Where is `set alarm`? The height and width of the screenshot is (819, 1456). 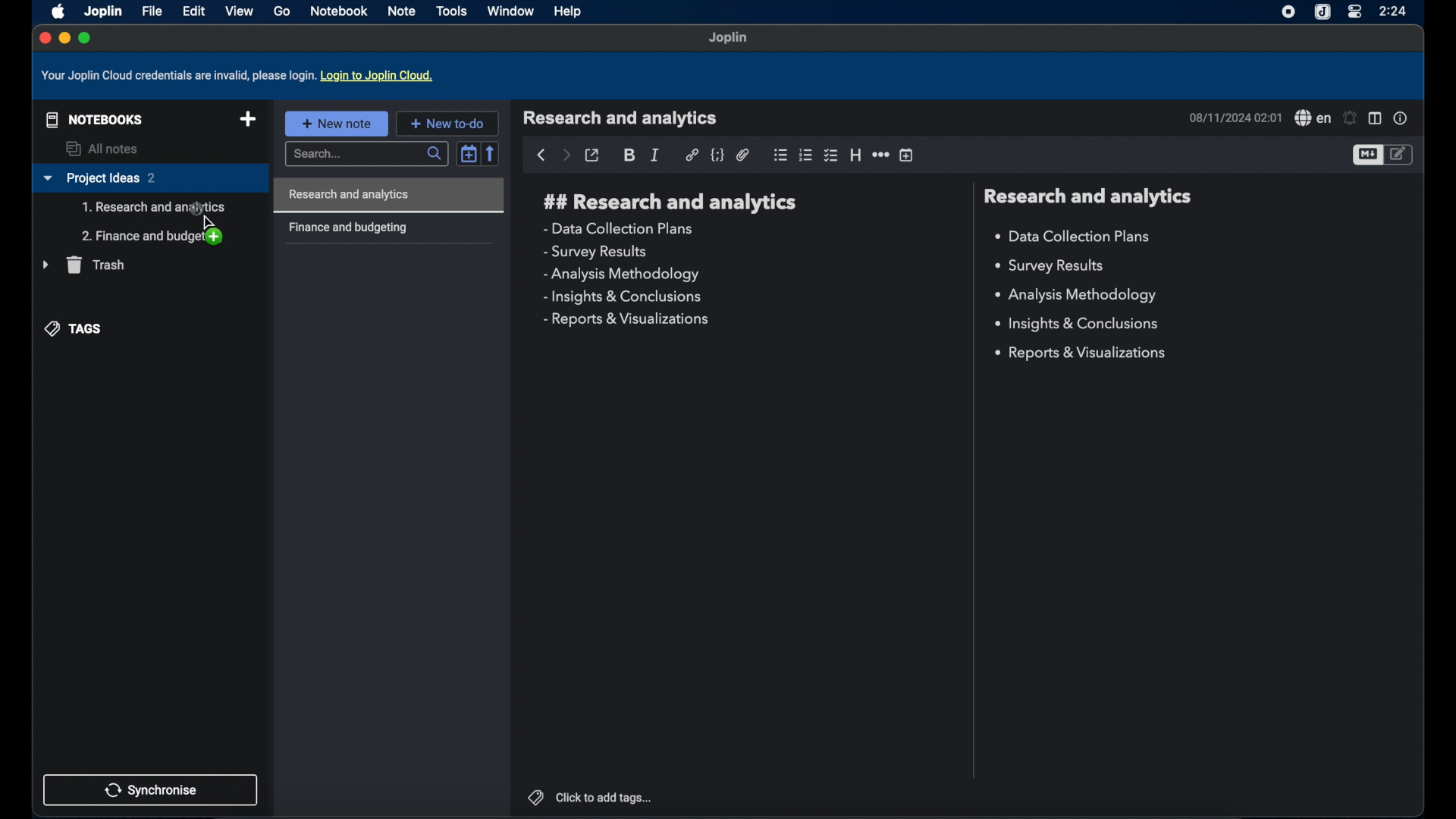 set alarm is located at coordinates (1351, 118).